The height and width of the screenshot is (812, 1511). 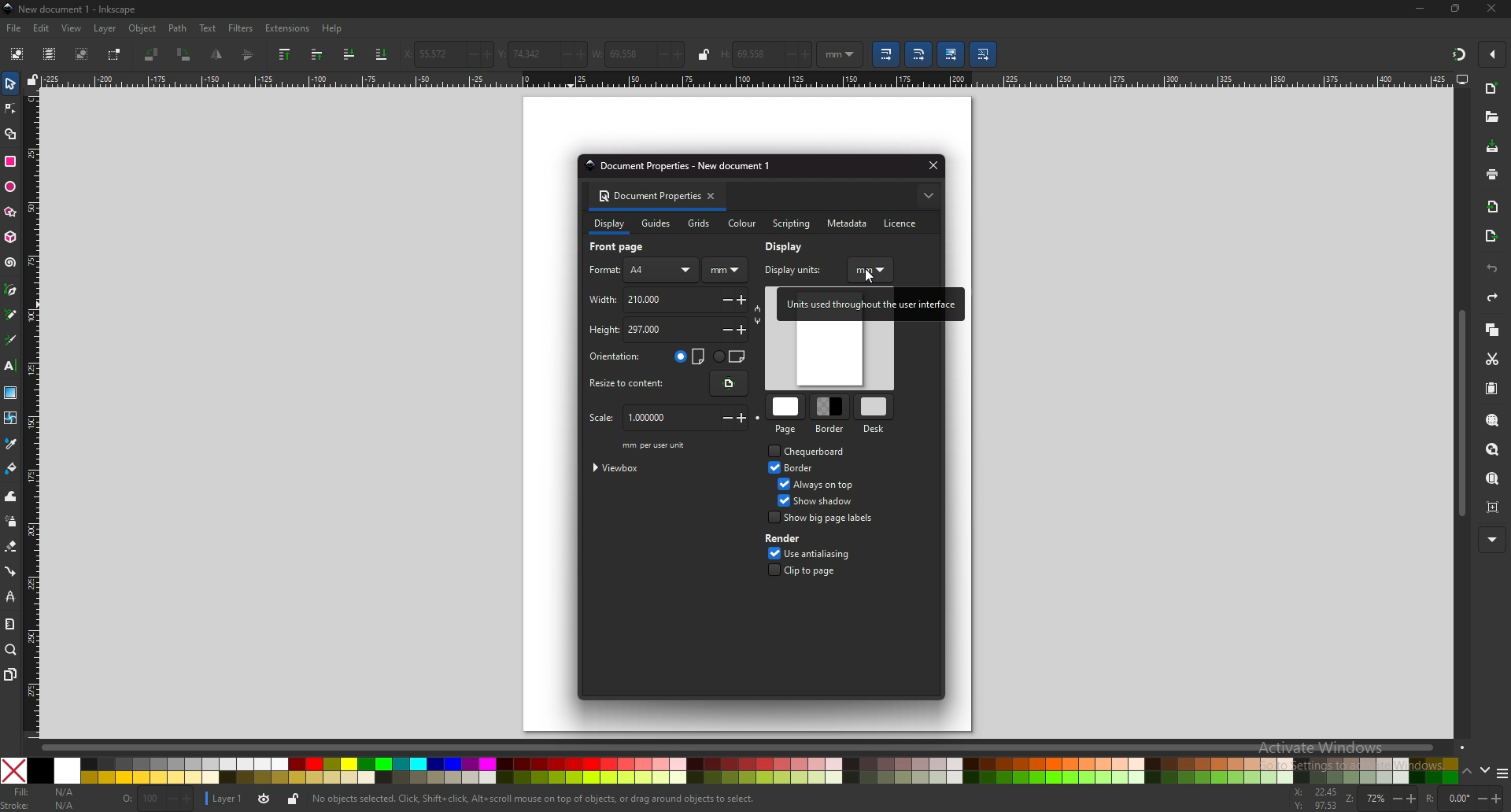 What do you see at coordinates (1446, 799) in the screenshot?
I see `rotation` at bounding box center [1446, 799].